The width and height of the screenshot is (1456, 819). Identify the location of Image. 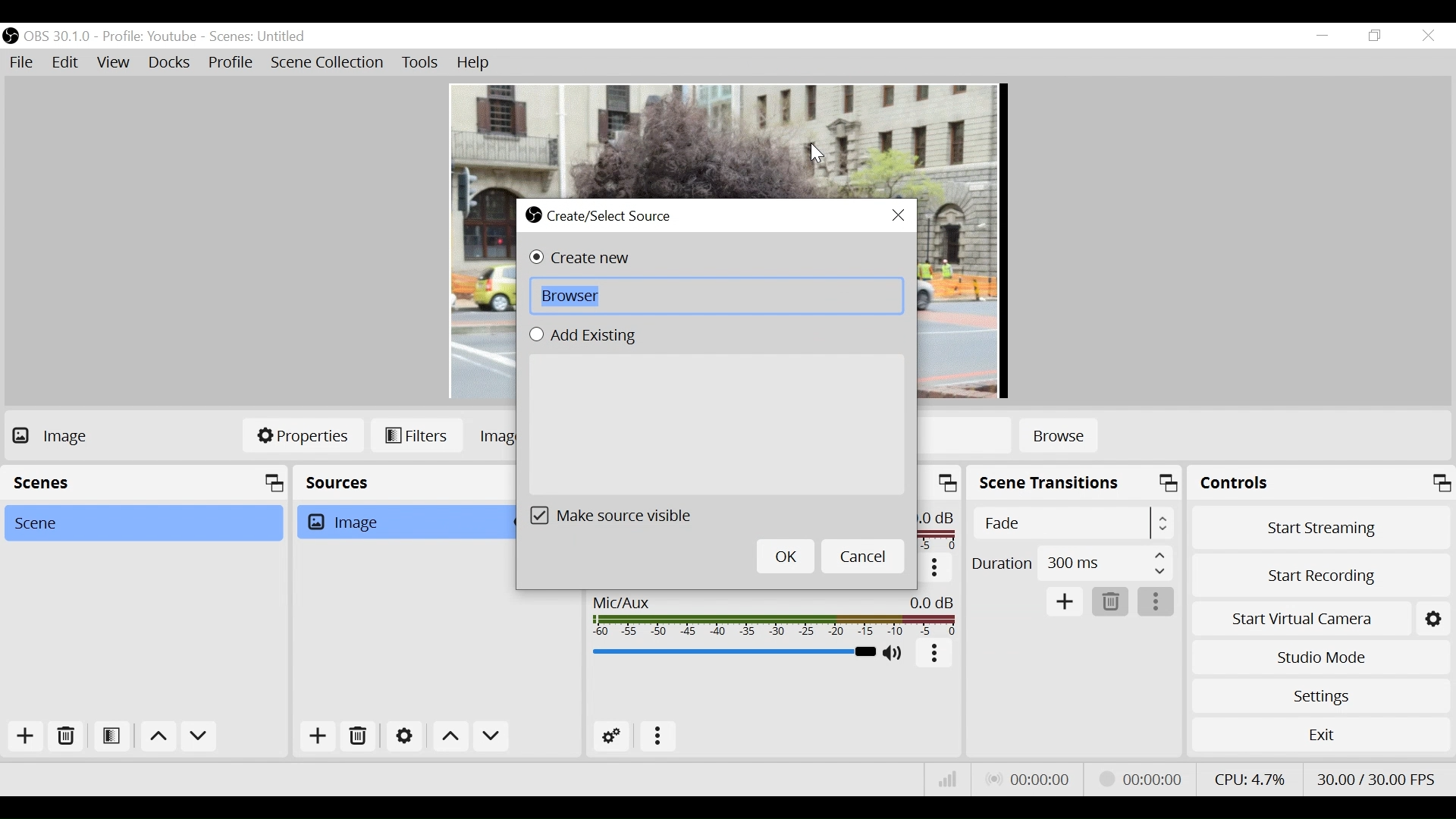
(403, 522).